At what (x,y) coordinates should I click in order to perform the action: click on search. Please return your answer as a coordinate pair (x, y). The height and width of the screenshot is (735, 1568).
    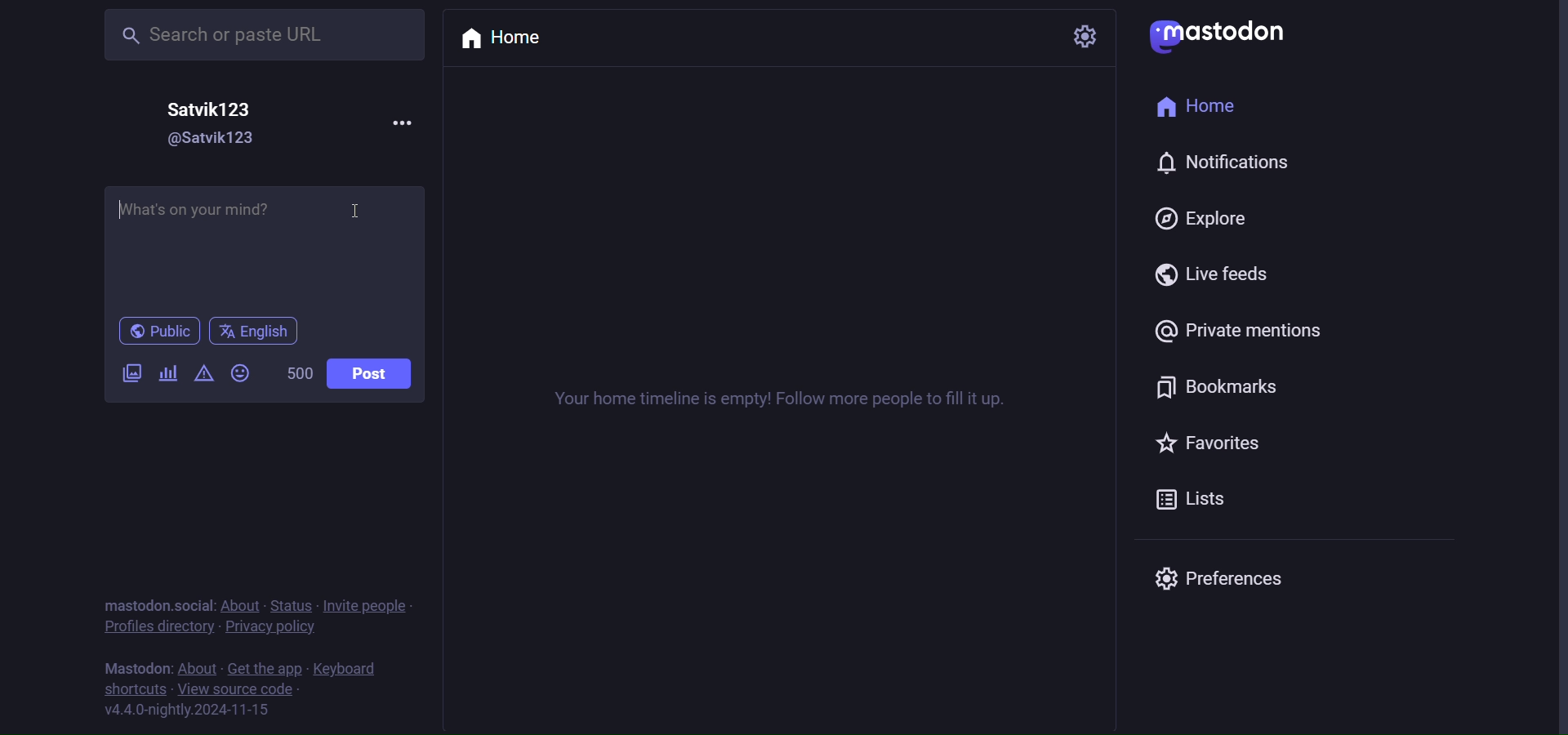
    Looking at the image, I should click on (244, 34).